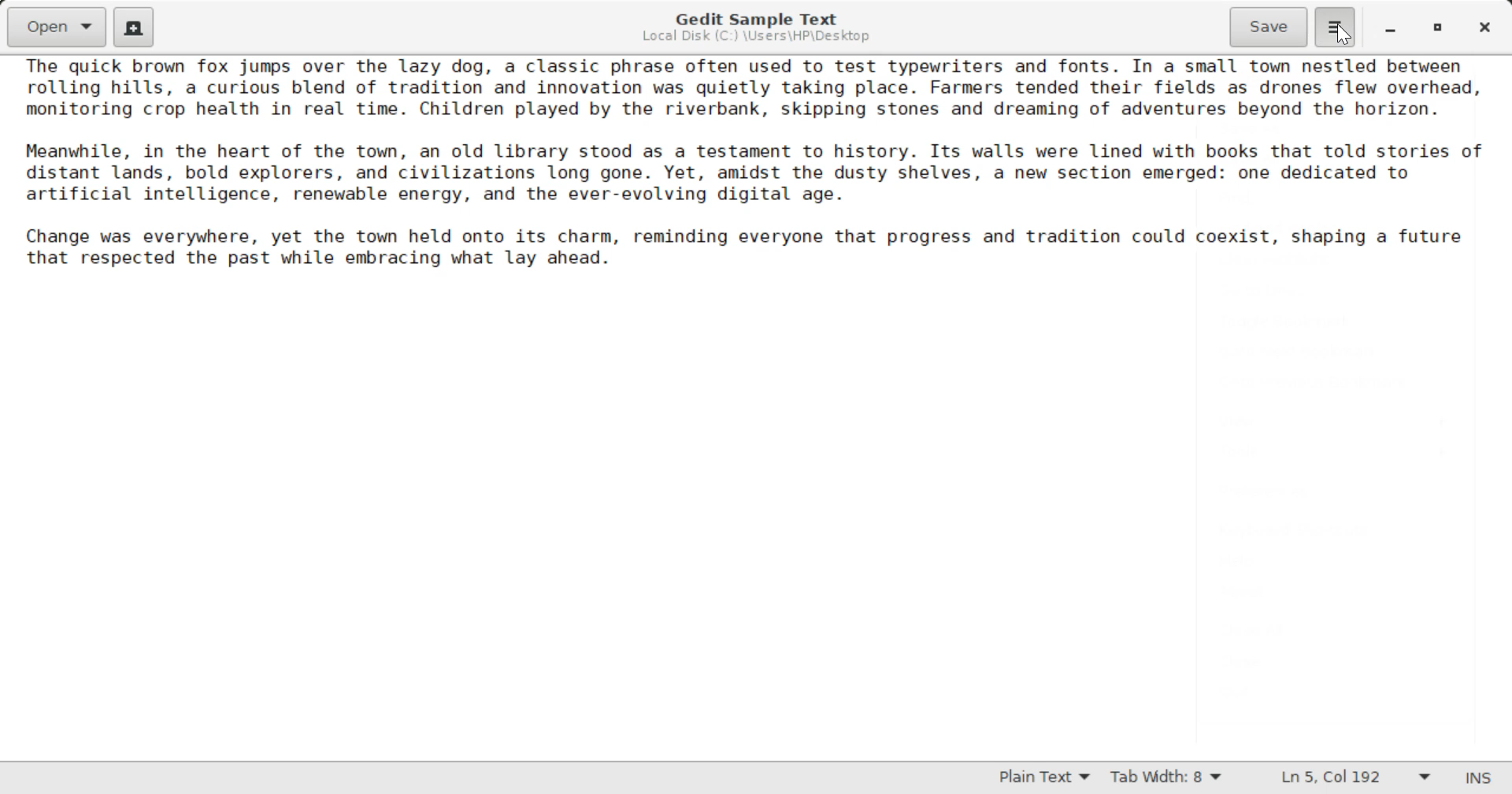 Image resolution: width=1512 pixels, height=794 pixels. Describe the element at coordinates (1483, 28) in the screenshot. I see `Close Window` at that location.